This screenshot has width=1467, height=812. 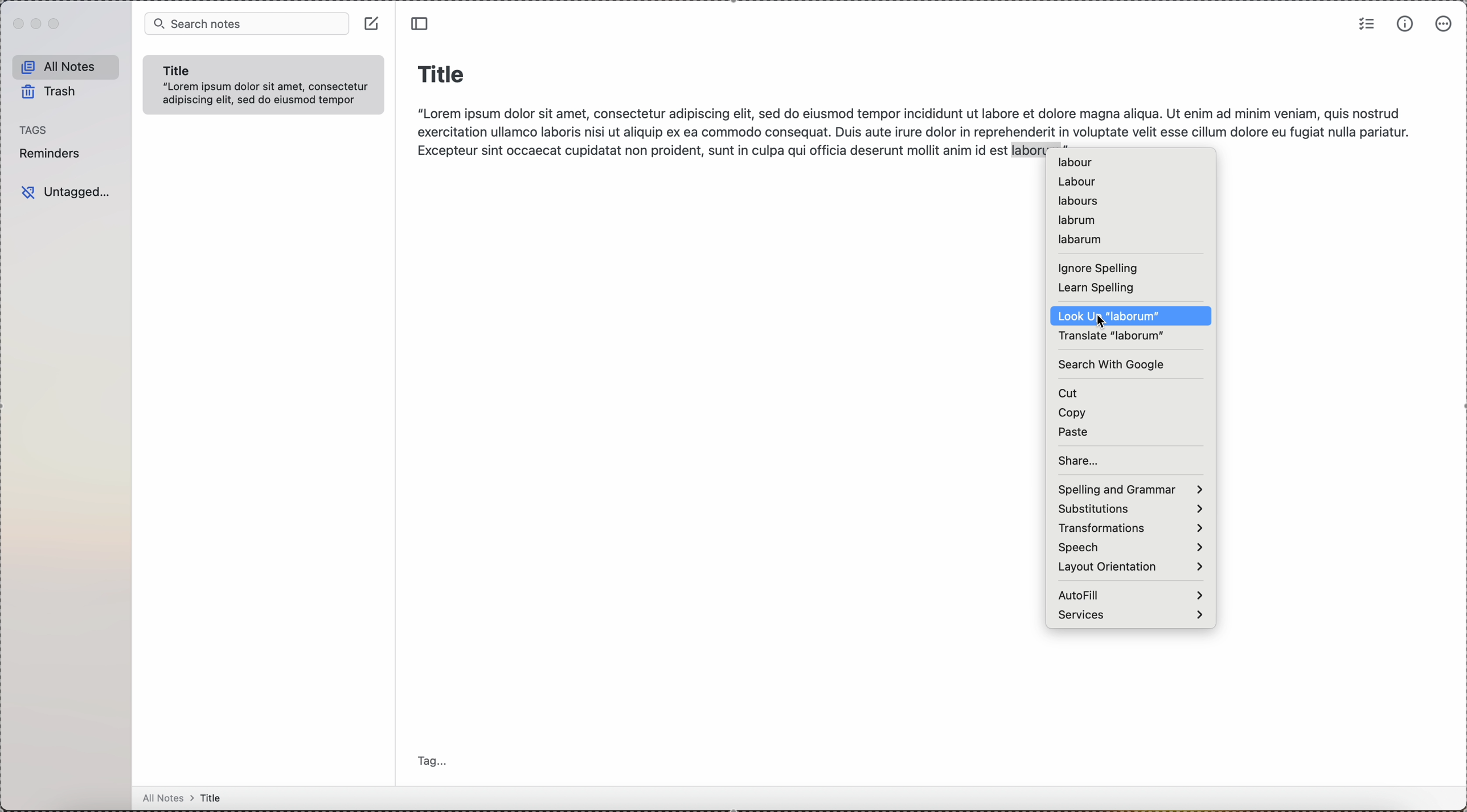 I want to click on title, so click(x=442, y=72).